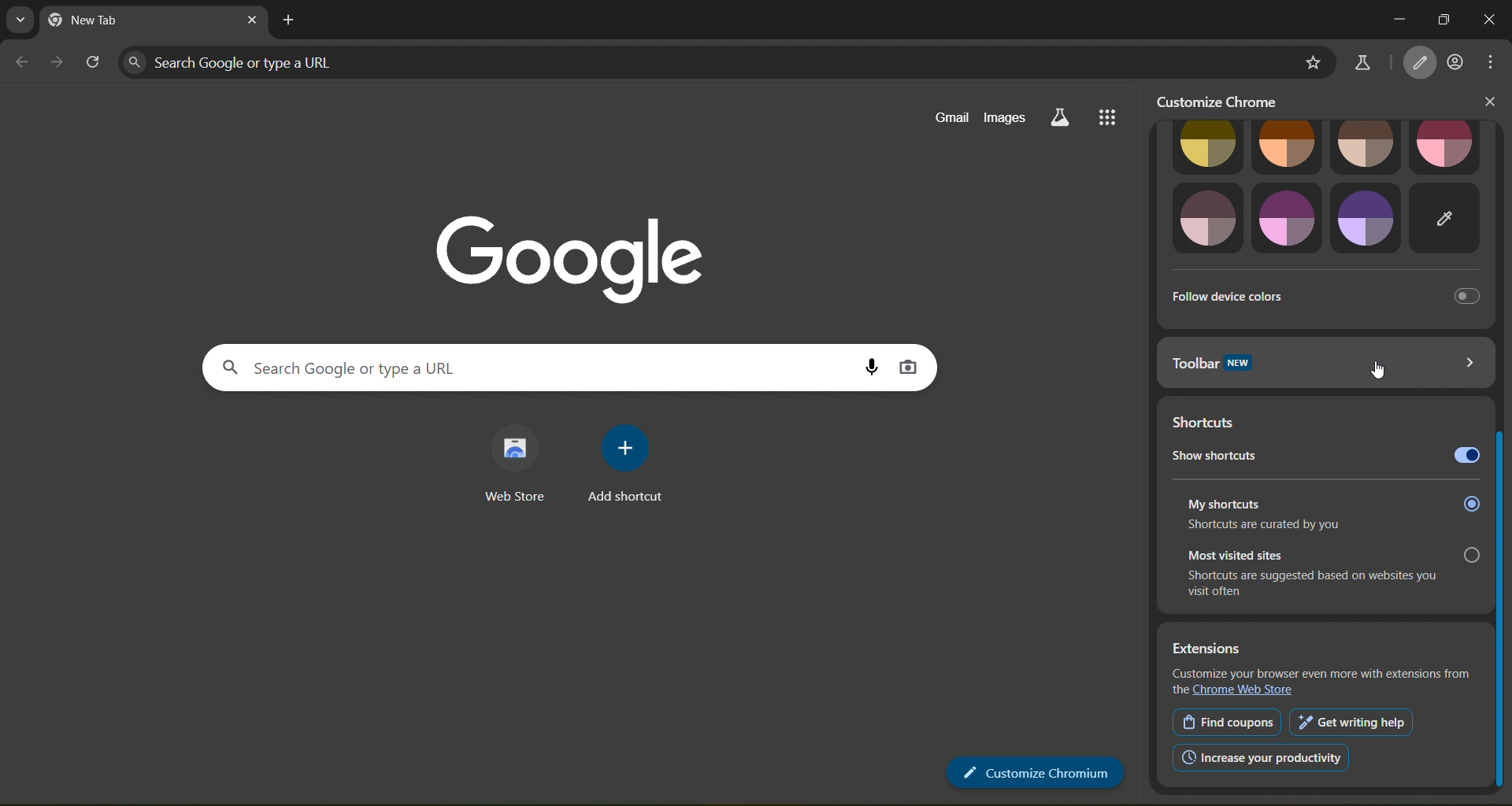 The height and width of the screenshot is (806, 1512). What do you see at coordinates (1269, 454) in the screenshot?
I see `show shortcuts` at bounding box center [1269, 454].